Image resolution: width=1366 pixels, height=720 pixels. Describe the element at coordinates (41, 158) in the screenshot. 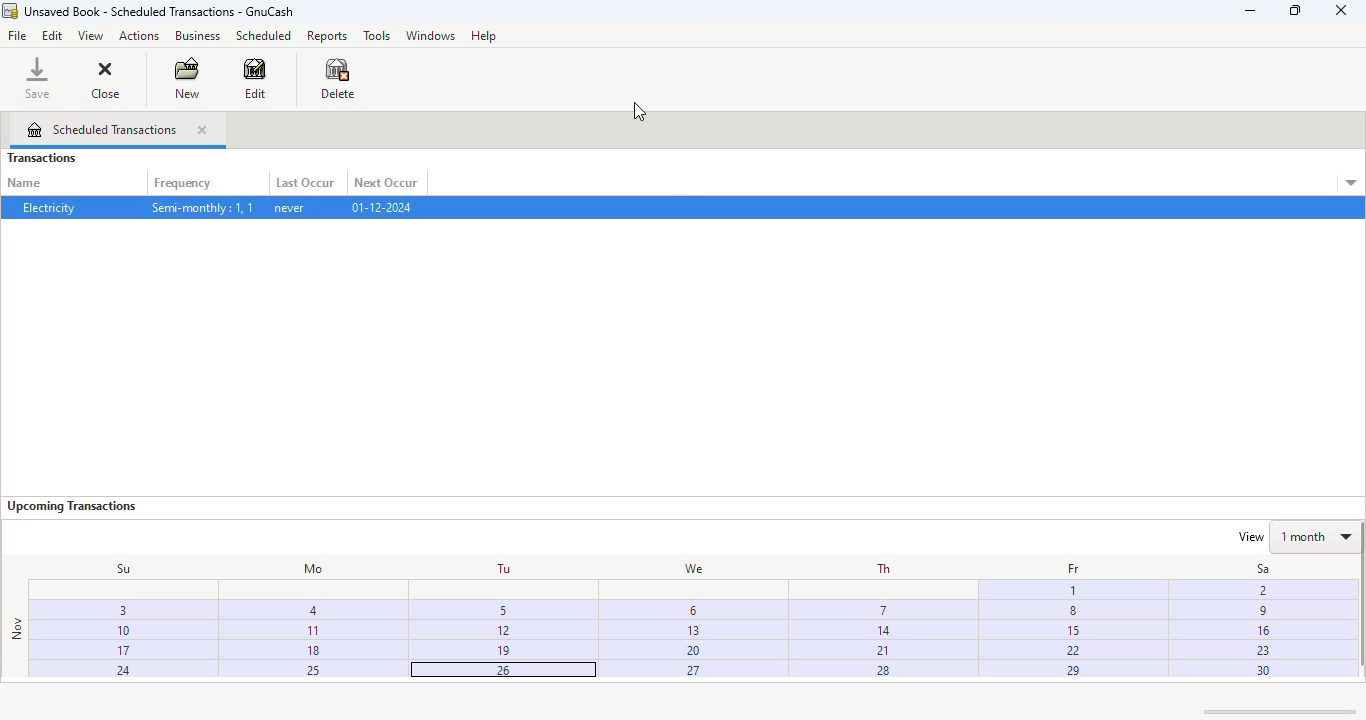

I see `transactions` at that location.